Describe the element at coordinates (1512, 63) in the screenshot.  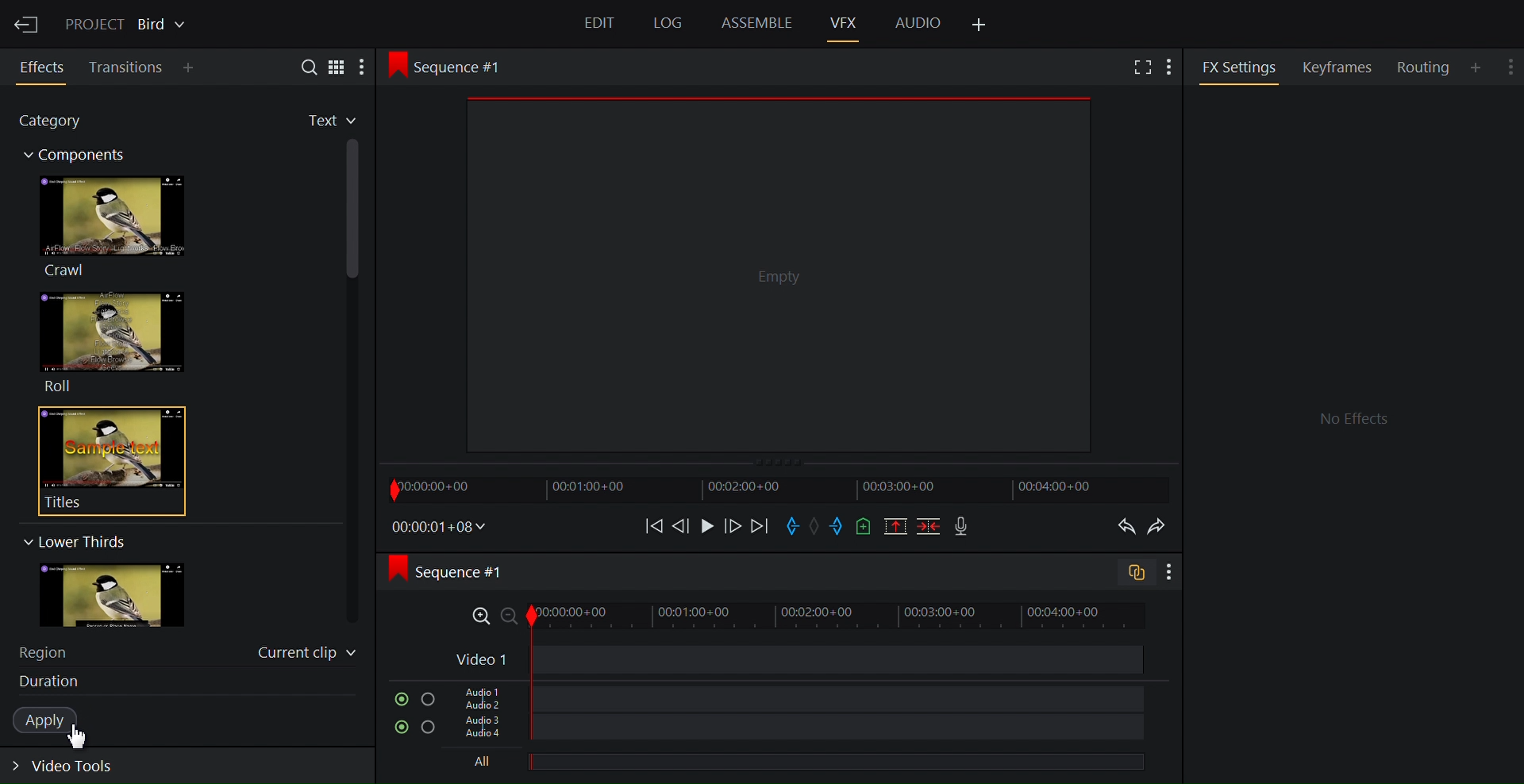
I see `Show settings menu` at that location.